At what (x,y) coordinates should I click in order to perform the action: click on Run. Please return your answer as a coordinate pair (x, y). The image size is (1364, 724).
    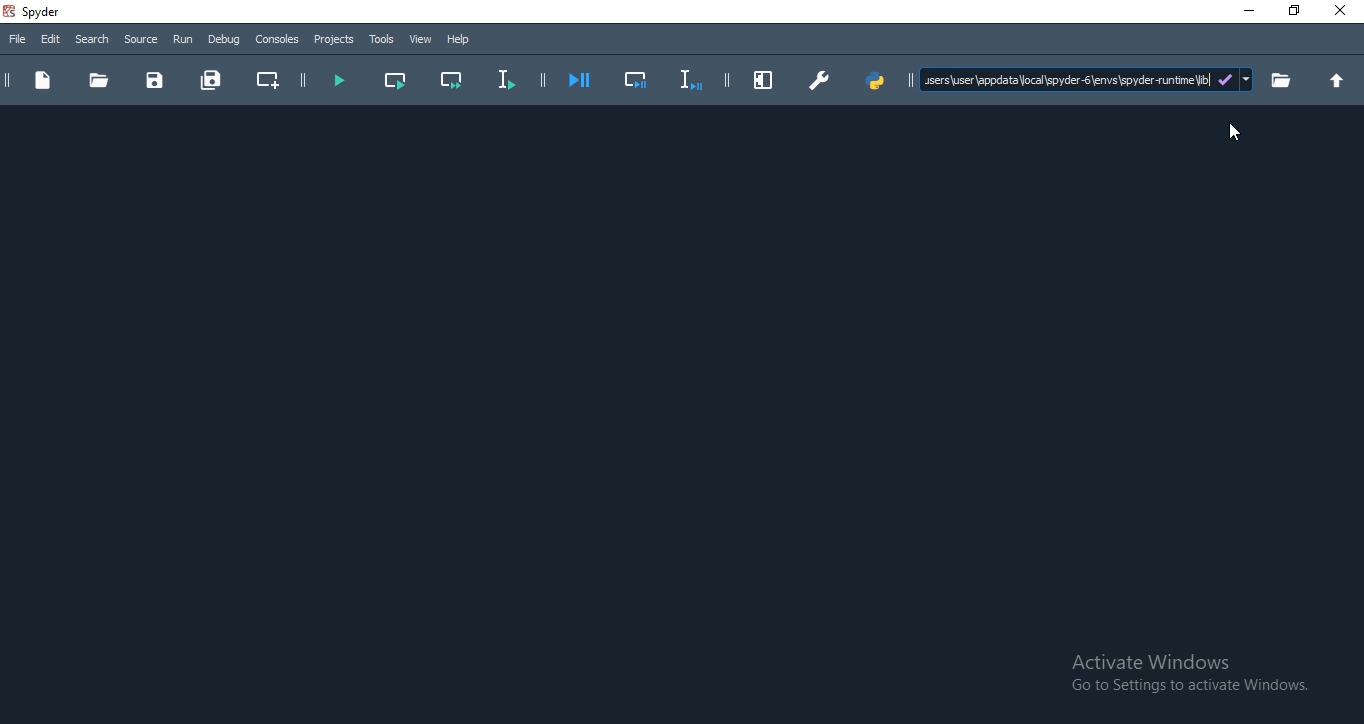
    Looking at the image, I should click on (182, 40).